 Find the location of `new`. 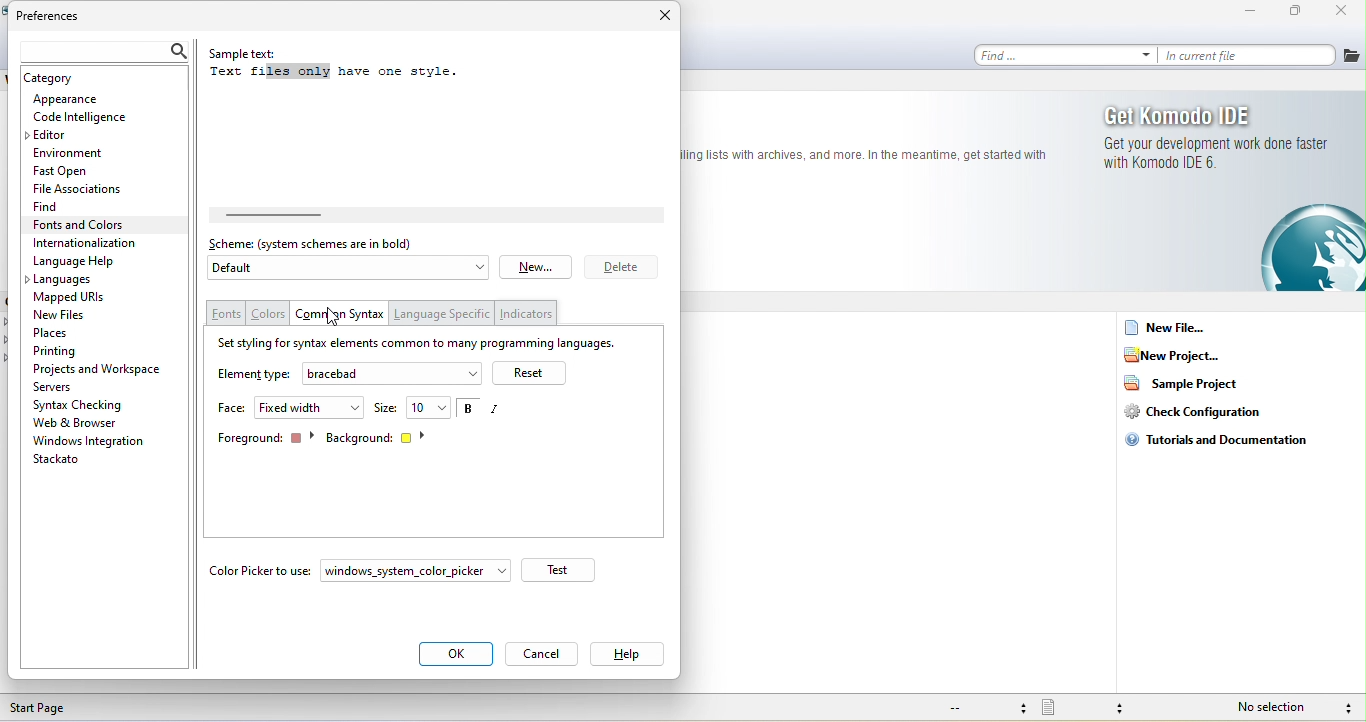

new is located at coordinates (537, 265).